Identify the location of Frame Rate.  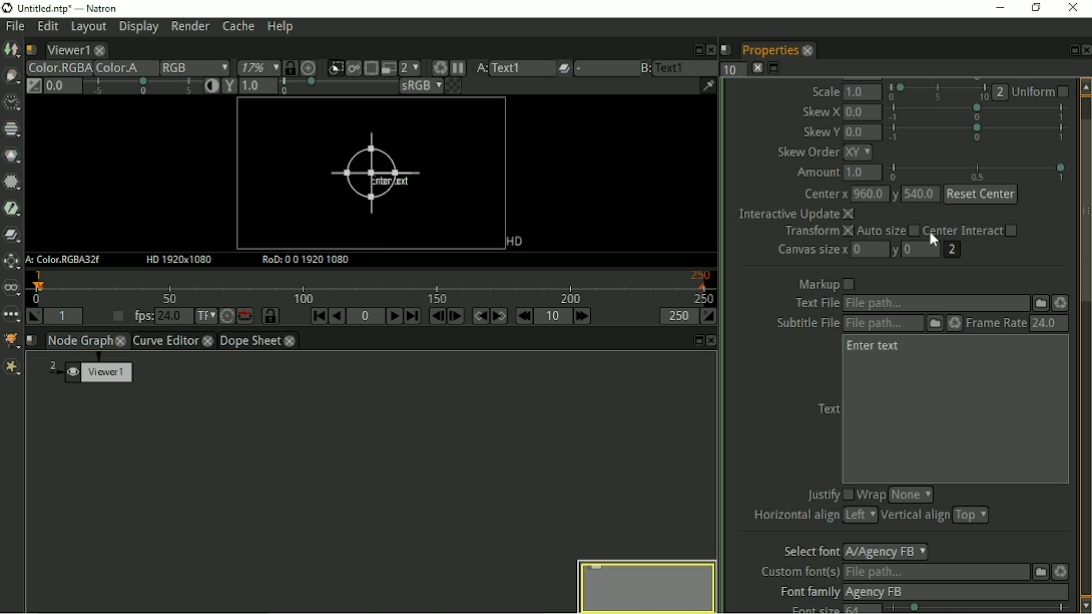
(996, 324).